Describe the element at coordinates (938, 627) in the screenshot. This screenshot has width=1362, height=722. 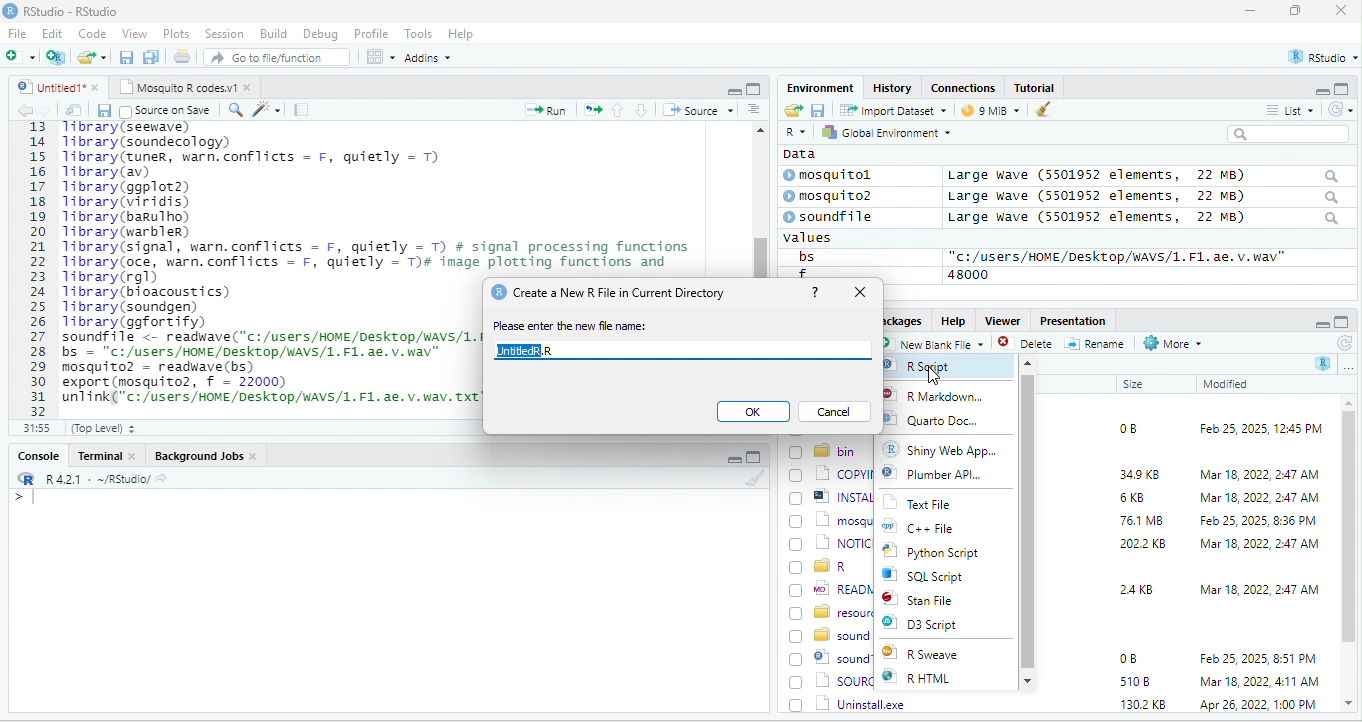
I see `D3 Script` at that location.